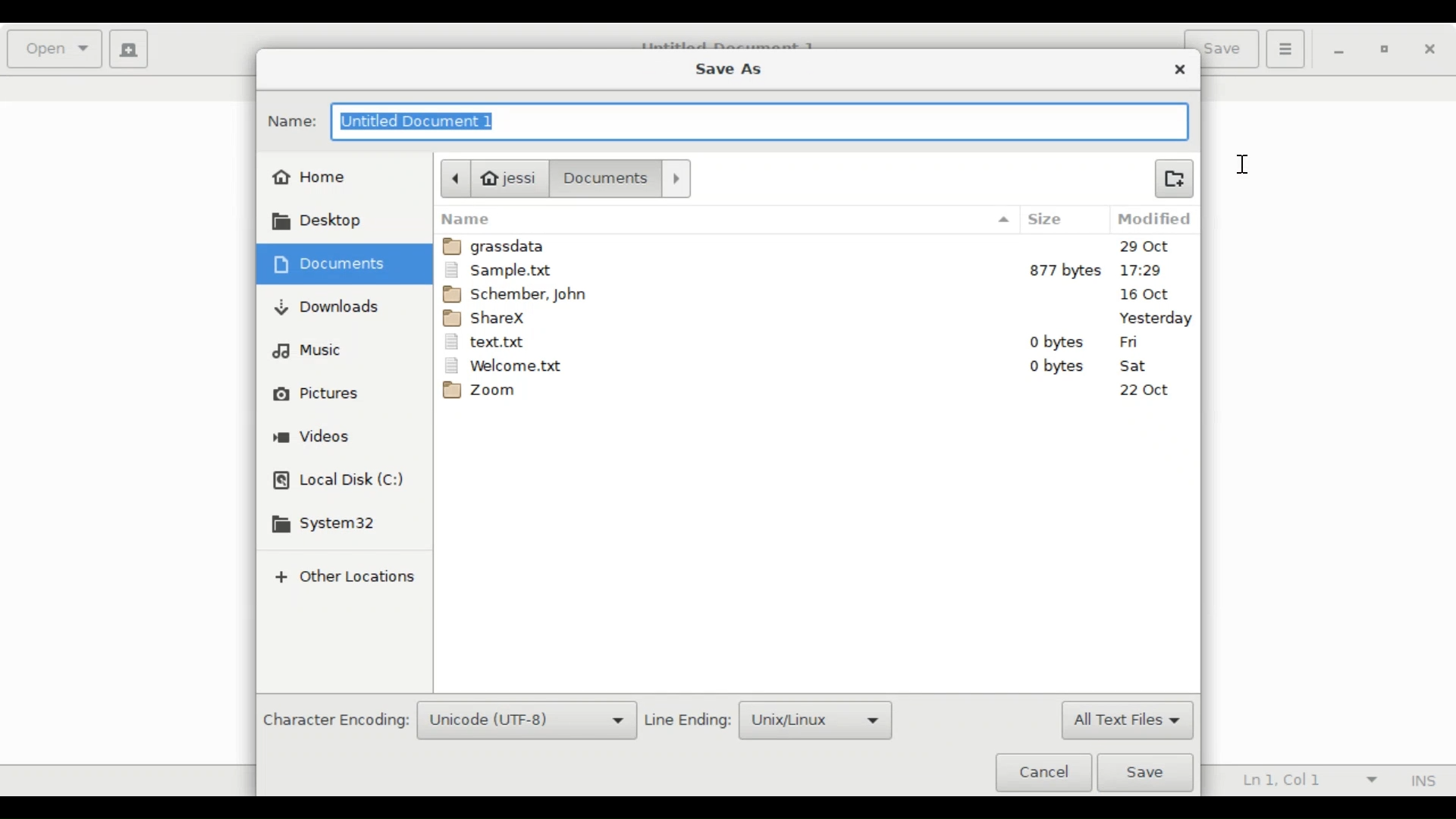  I want to click on Sample.txt 877 bytes 17:29, so click(816, 270).